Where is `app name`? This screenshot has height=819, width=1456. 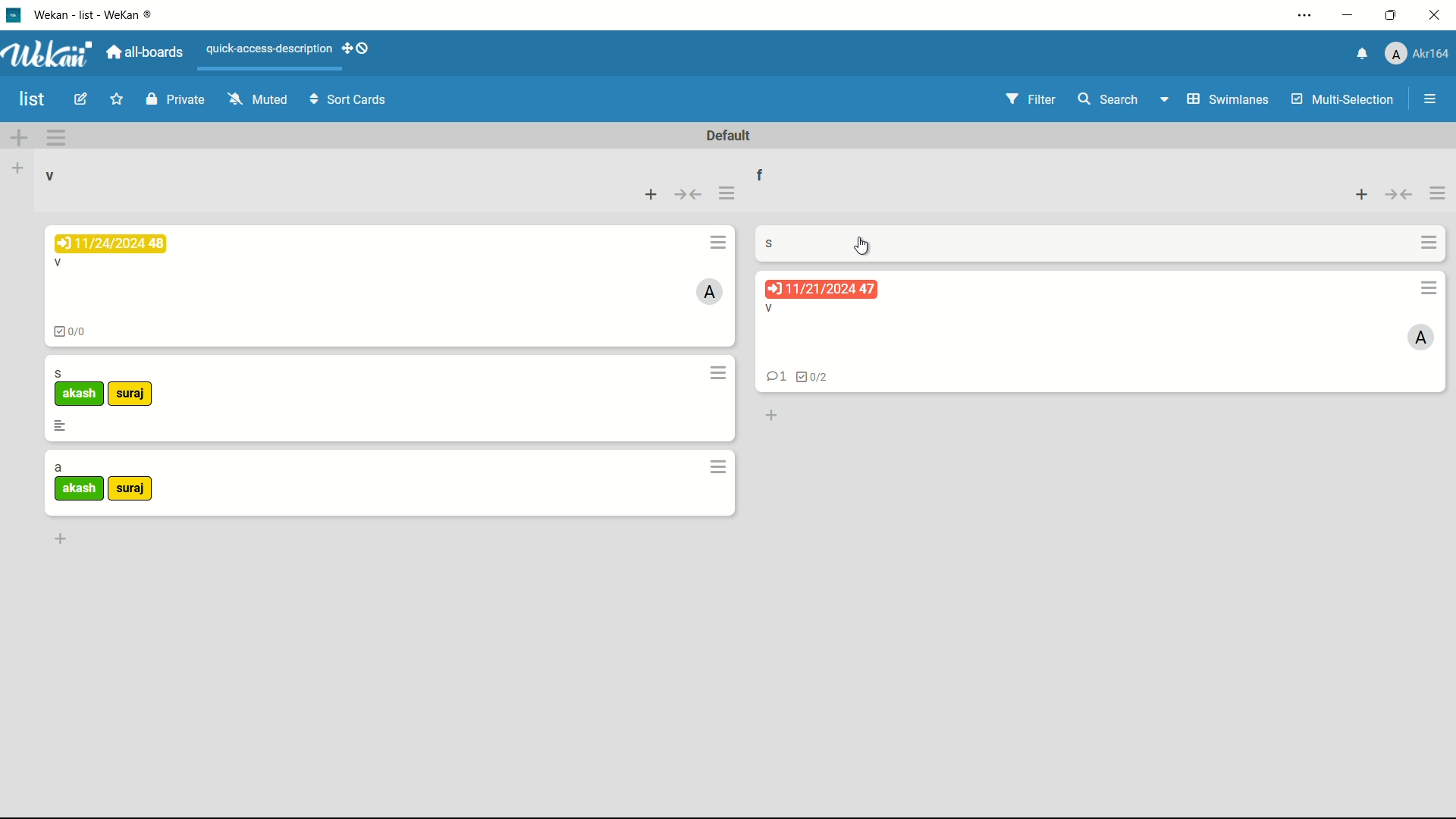 app name is located at coordinates (102, 16).